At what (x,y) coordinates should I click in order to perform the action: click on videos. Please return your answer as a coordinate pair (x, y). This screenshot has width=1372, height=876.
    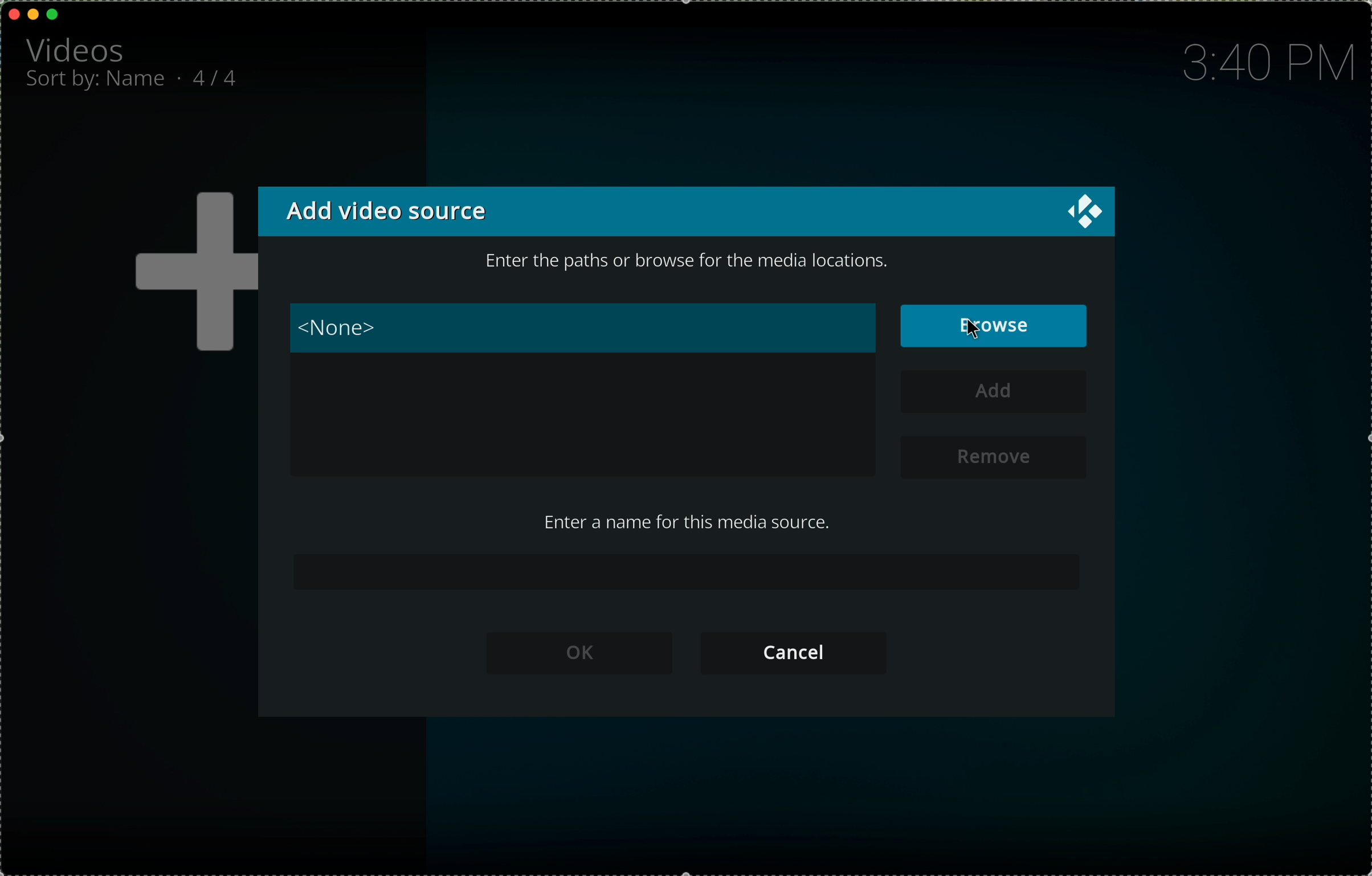
    Looking at the image, I should click on (78, 48).